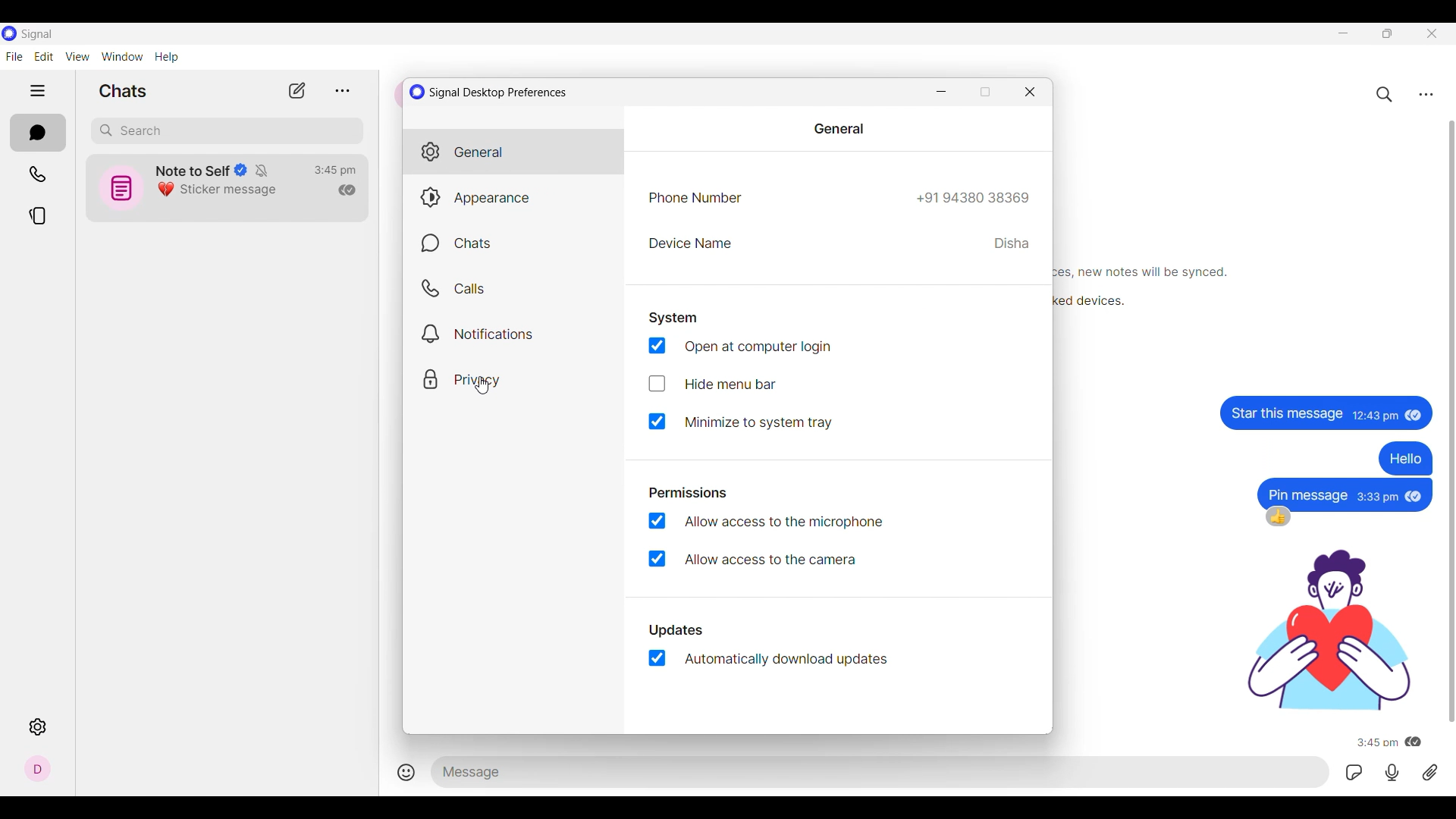  What do you see at coordinates (37, 174) in the screenshot?
I see `Calls` at bounding box center [37, 174].